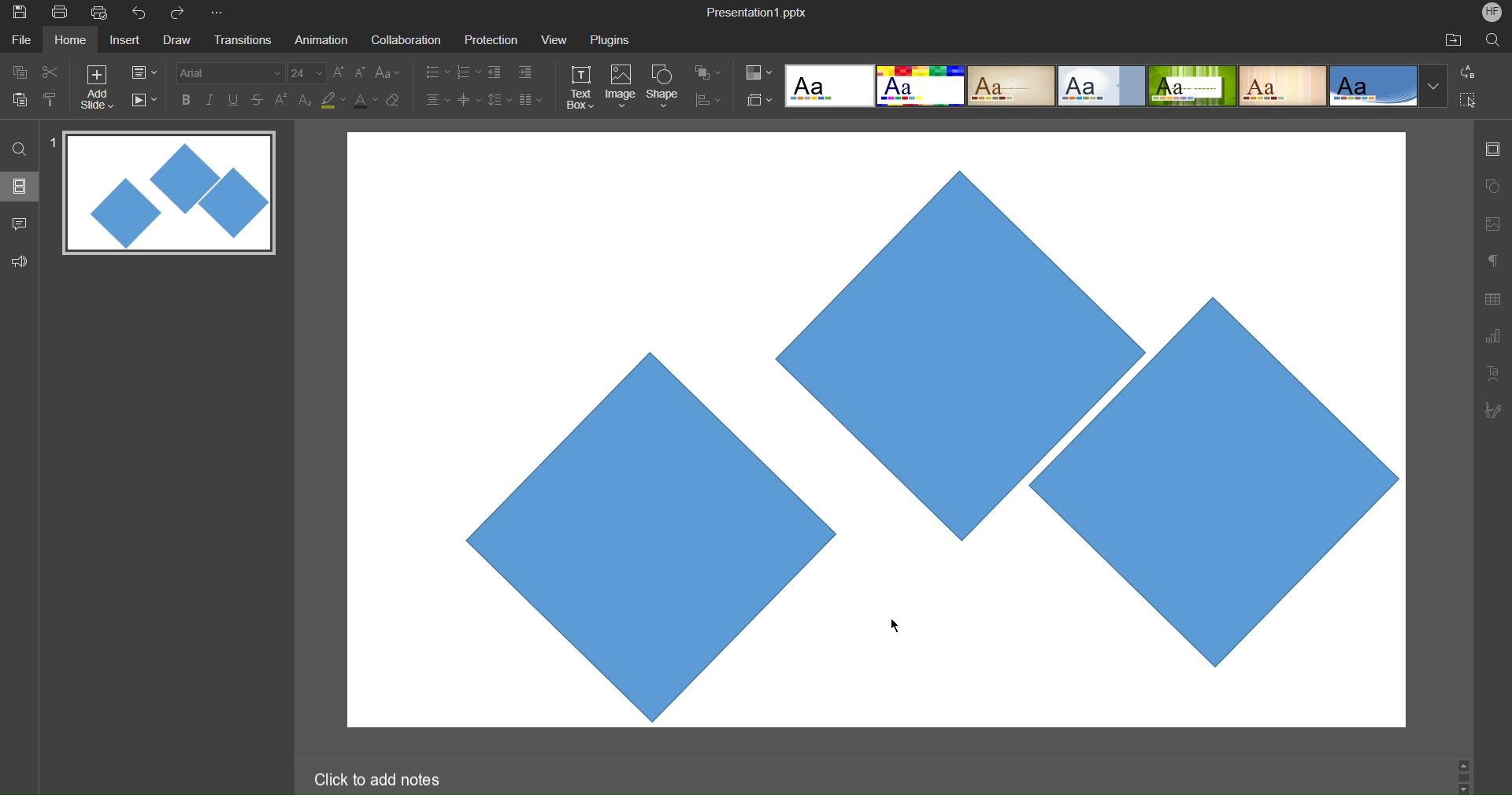 This screenshot has height=795, width=1512. Describe the element at coordinates (123, 41) in the screenshot. I see `Insert` at that location.